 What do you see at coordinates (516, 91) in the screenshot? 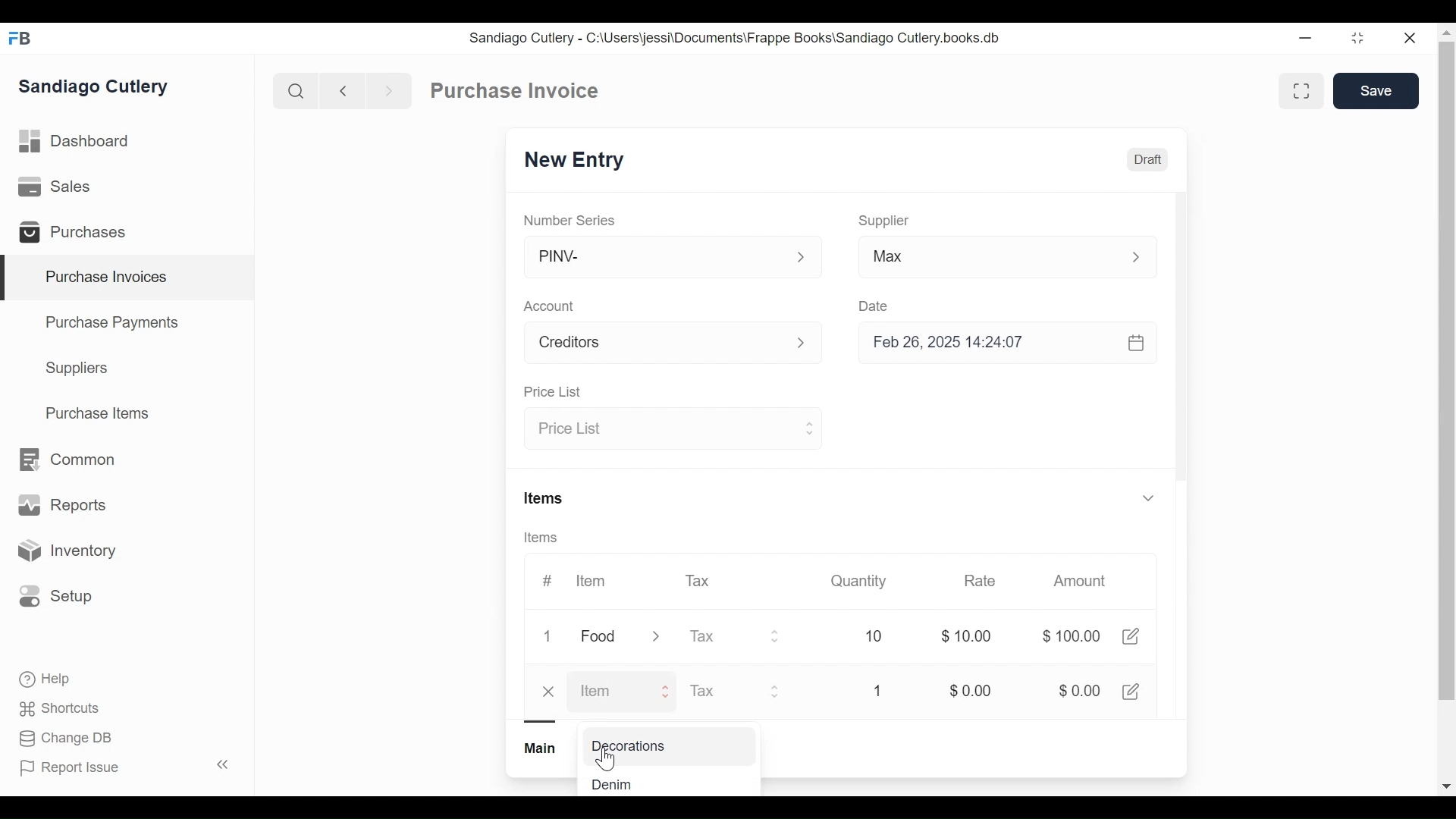
I see `Purchase Invoice` at bounding box center [516, 91].